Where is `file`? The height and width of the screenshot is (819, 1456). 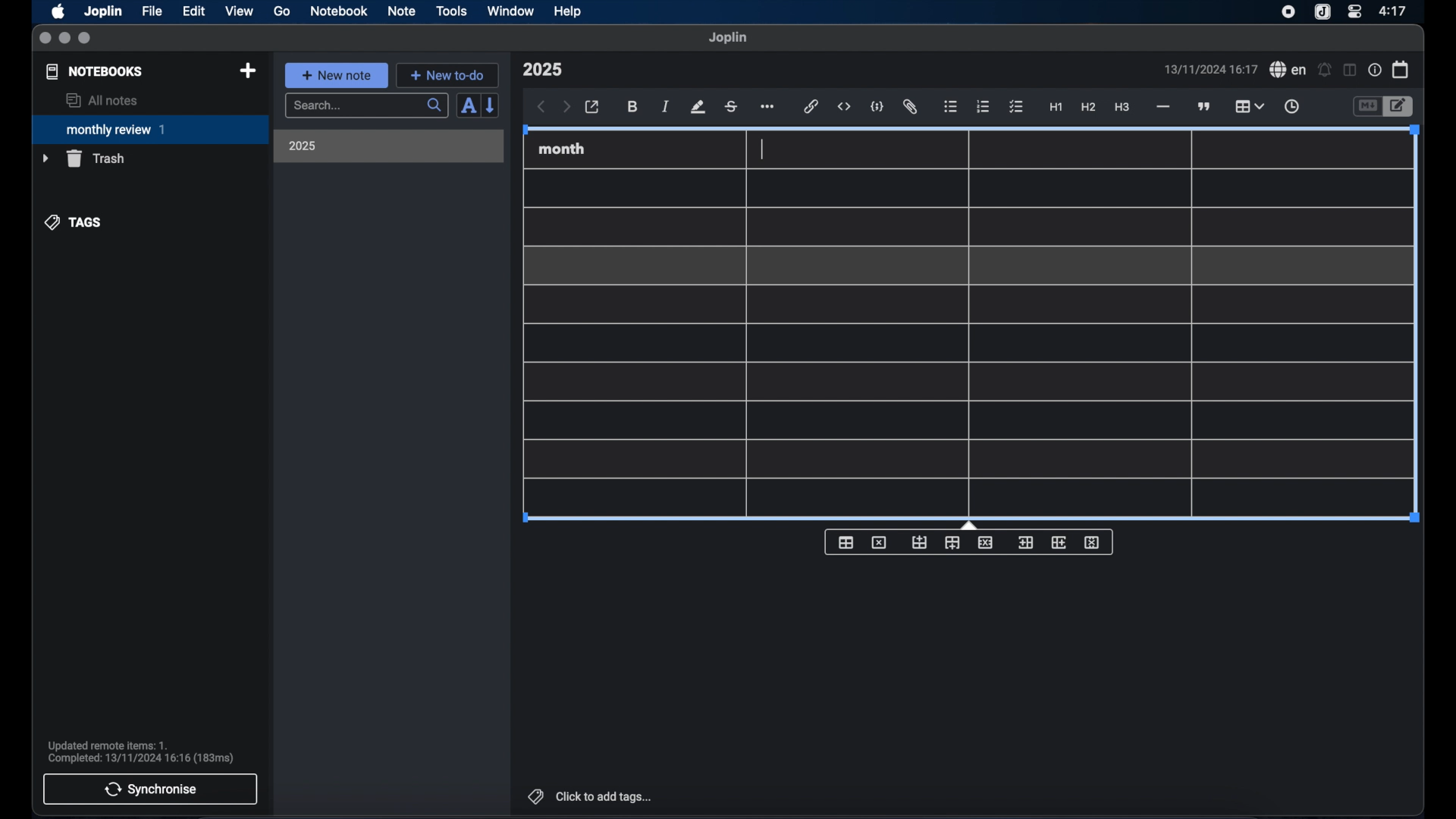
file is located at coordinates (152, 11).